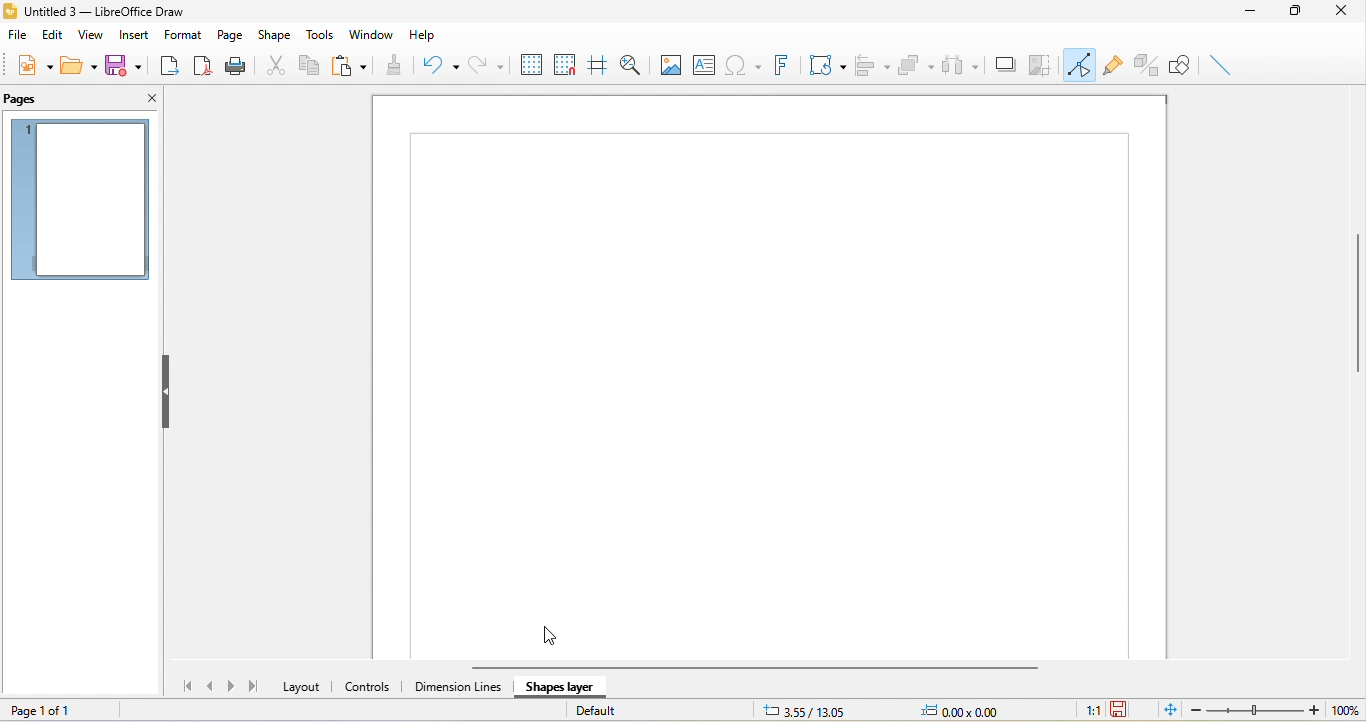  Describe the element at coordinates (565, 64) in the screenshot. I see `snap to grid` at that location.